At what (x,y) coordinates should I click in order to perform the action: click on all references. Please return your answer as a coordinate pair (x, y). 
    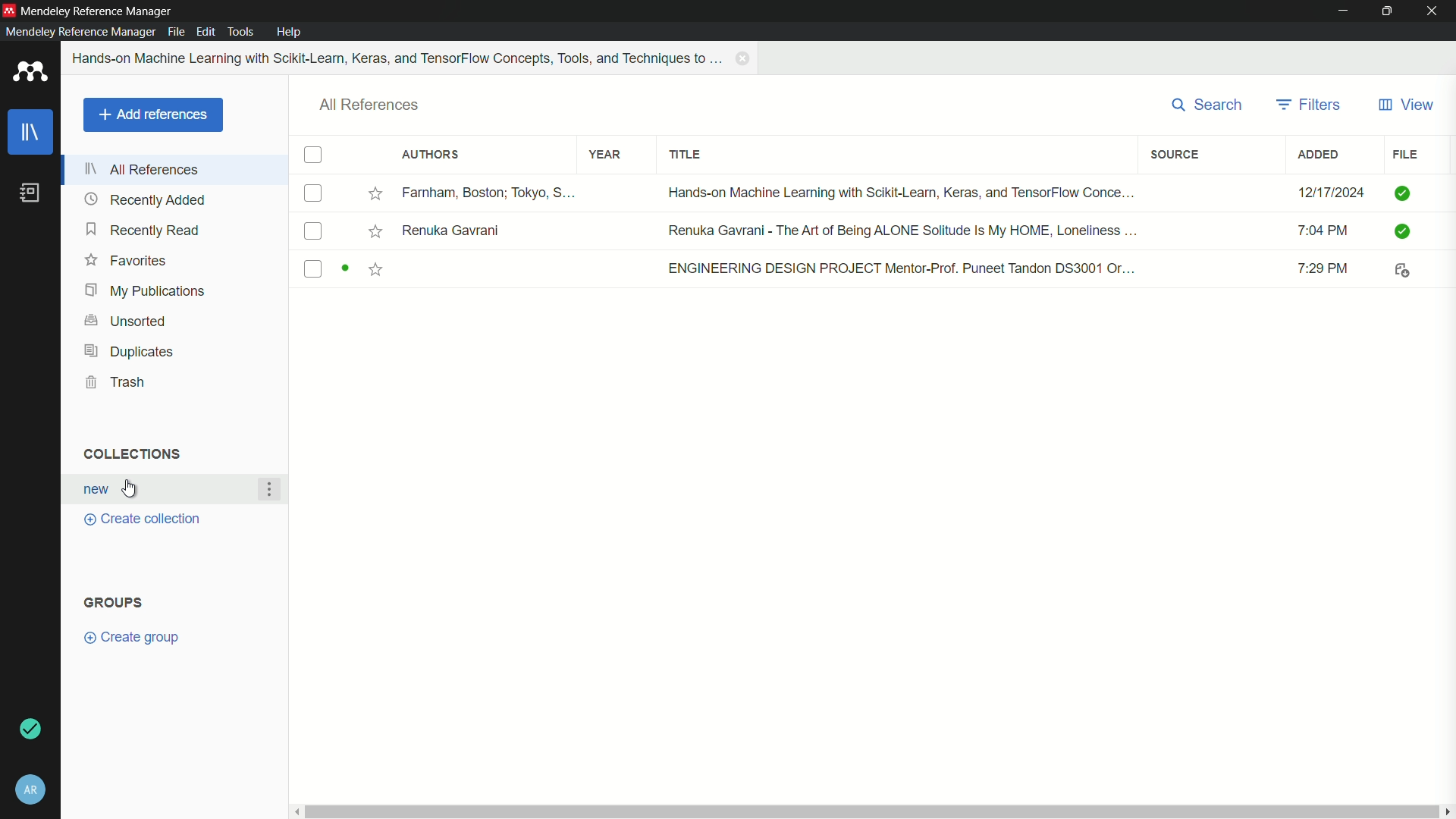
    Looking at the image, I should click on (370, 105).